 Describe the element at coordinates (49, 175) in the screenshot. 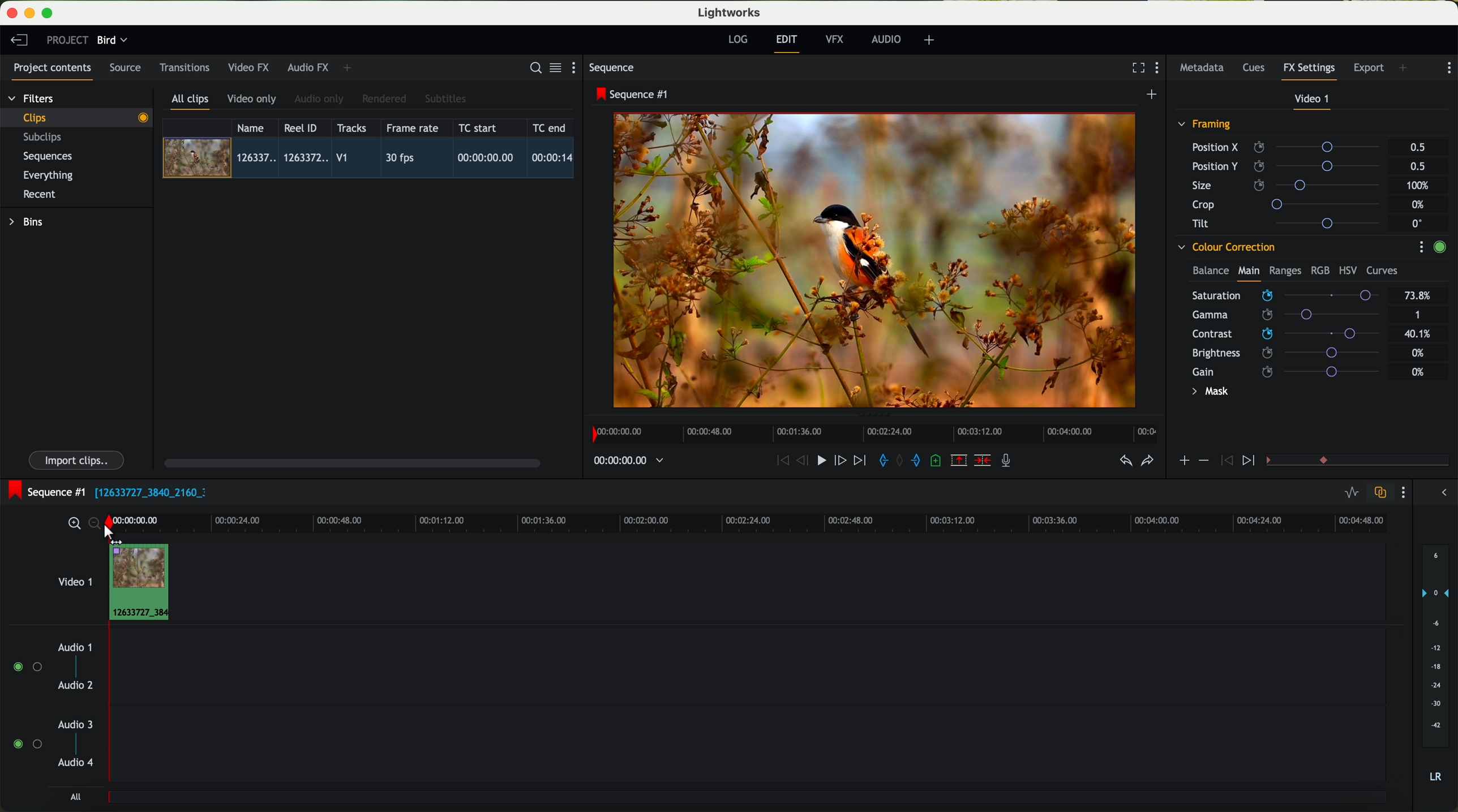

I see `everything` at that location.